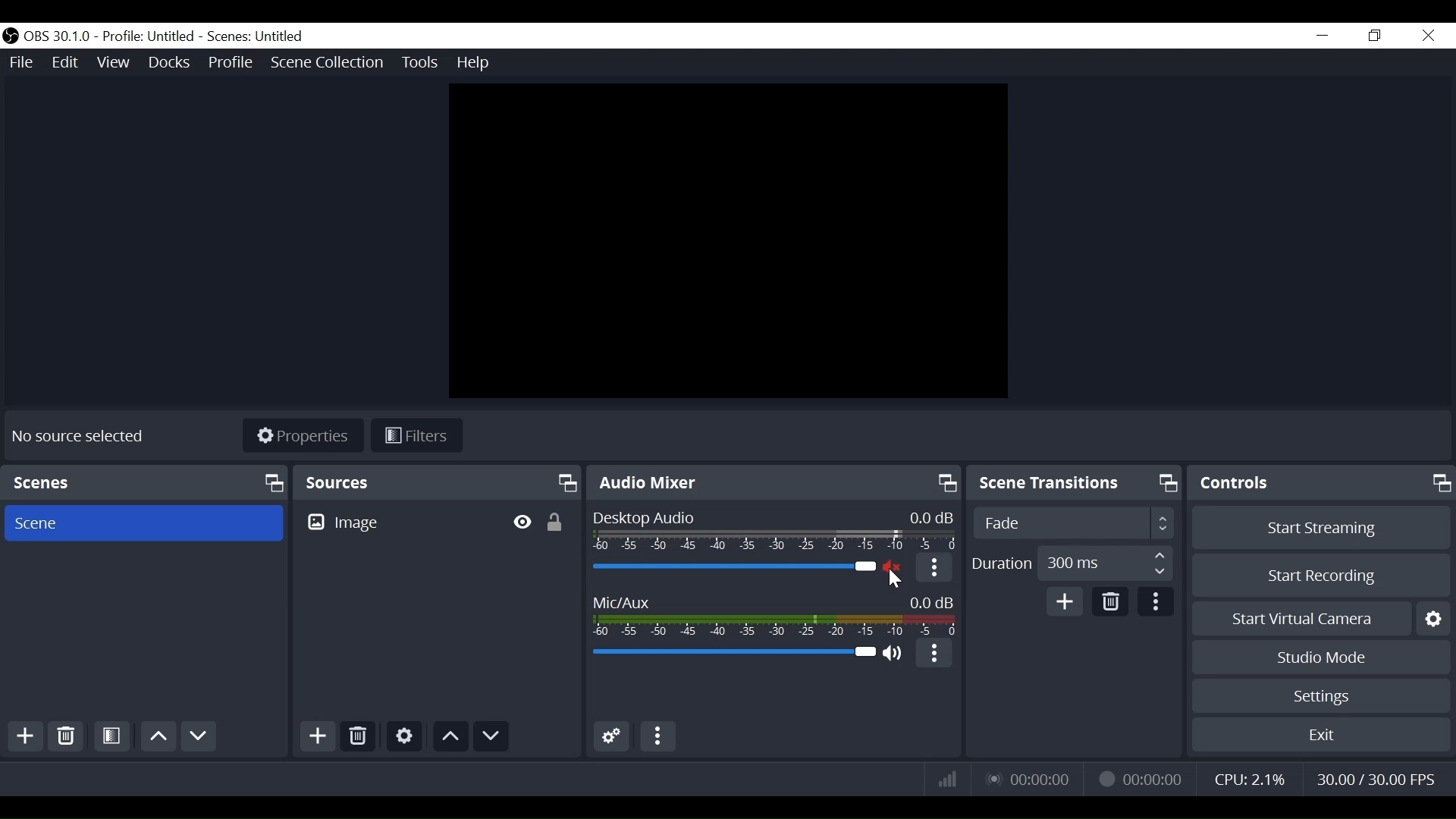 This screenshot has height=819, width=1456. I want to click on Delete, so click(1112, 601).